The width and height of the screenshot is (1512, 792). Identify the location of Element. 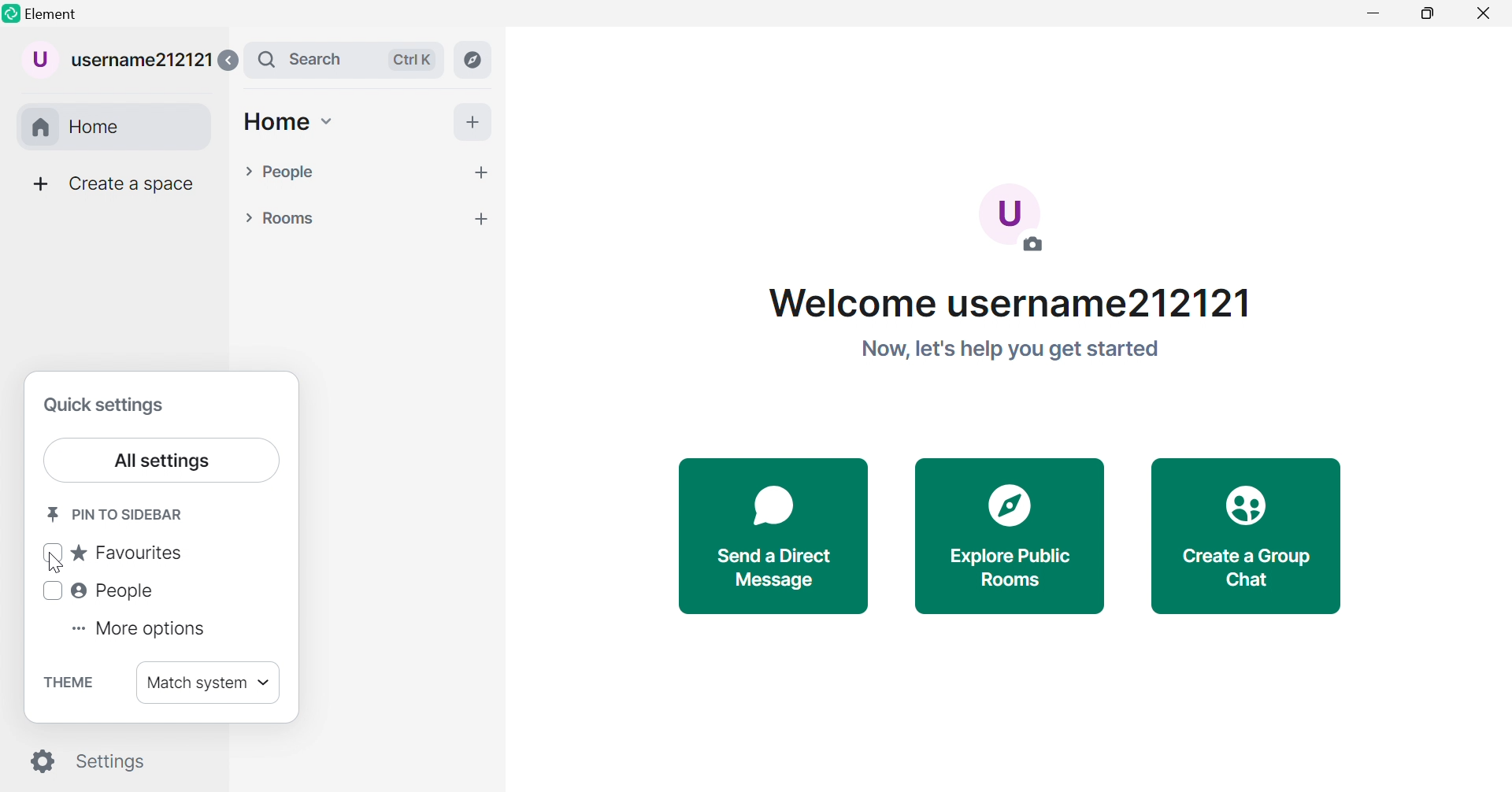
(57, 13).